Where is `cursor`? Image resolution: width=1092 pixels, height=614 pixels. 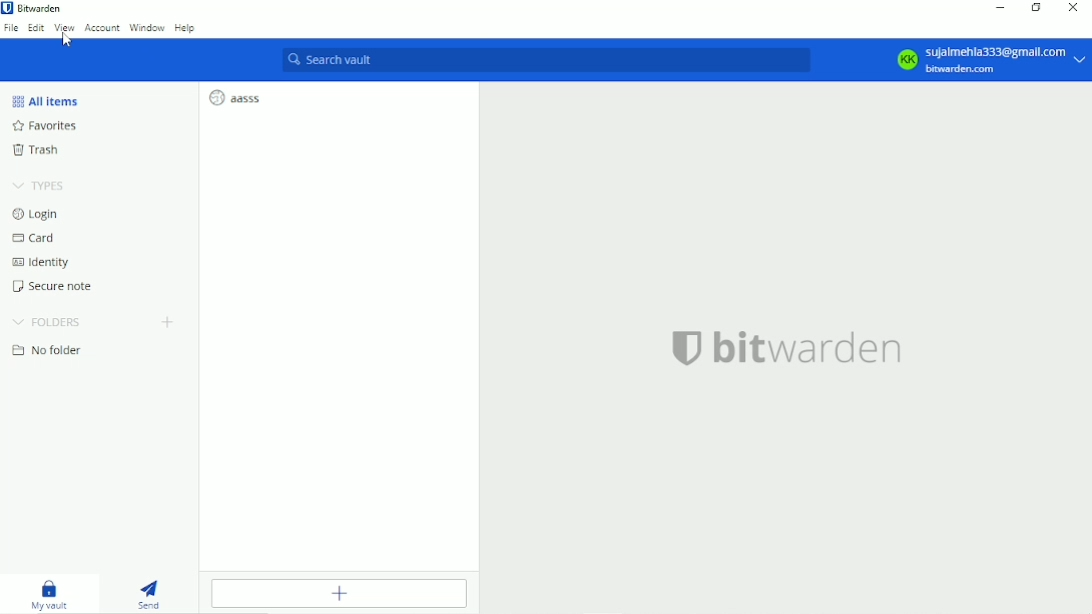 cursor is located at coordinates (66, 43).